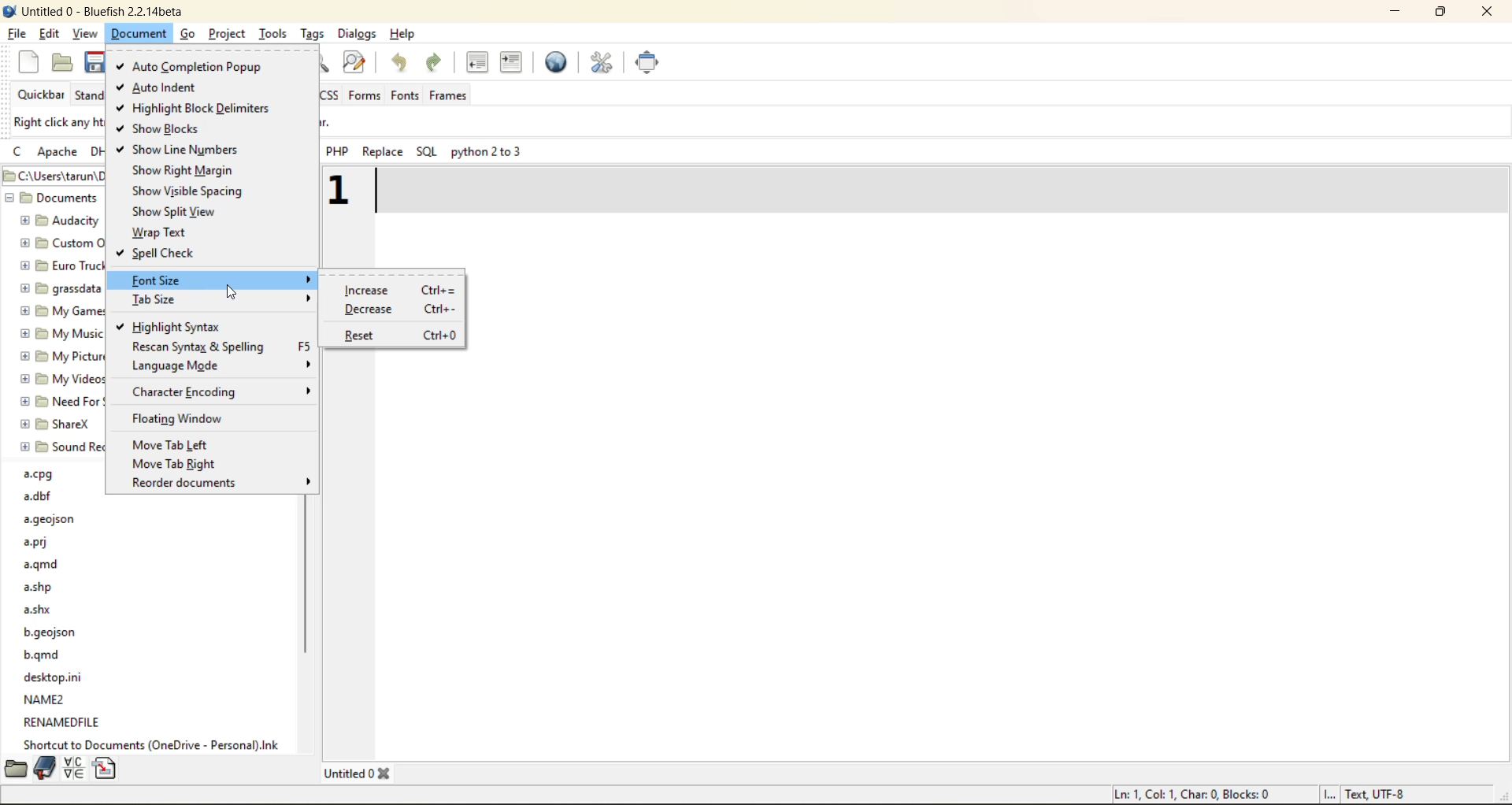  Describe the element at coordinates (188, 34) in the screenshot. I see `go` at that location.